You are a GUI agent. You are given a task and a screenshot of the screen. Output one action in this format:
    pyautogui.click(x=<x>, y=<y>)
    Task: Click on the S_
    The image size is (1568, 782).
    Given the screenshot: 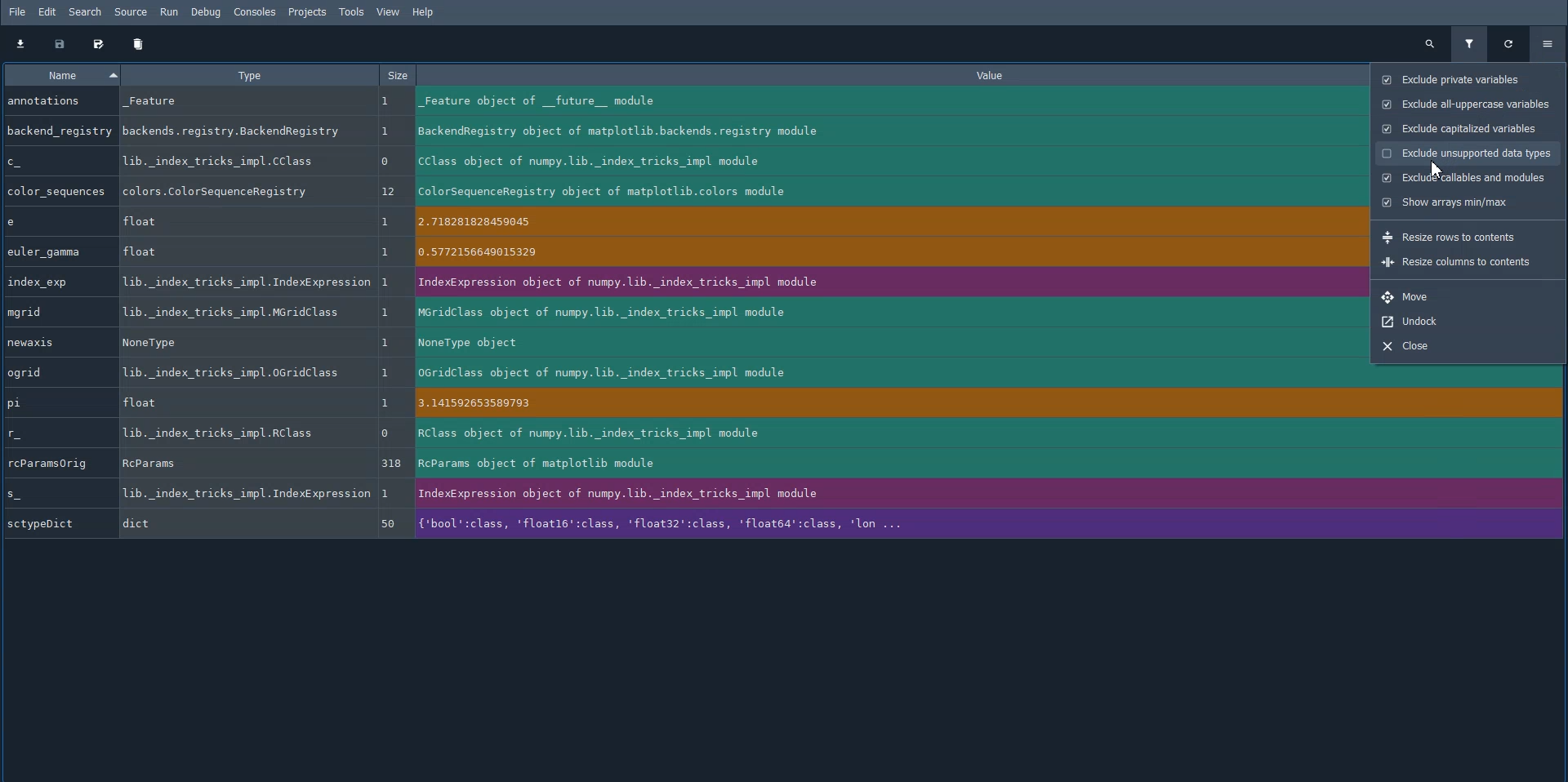 What is the action you would take?
    pyautogui.click(x=54, y=492)
    